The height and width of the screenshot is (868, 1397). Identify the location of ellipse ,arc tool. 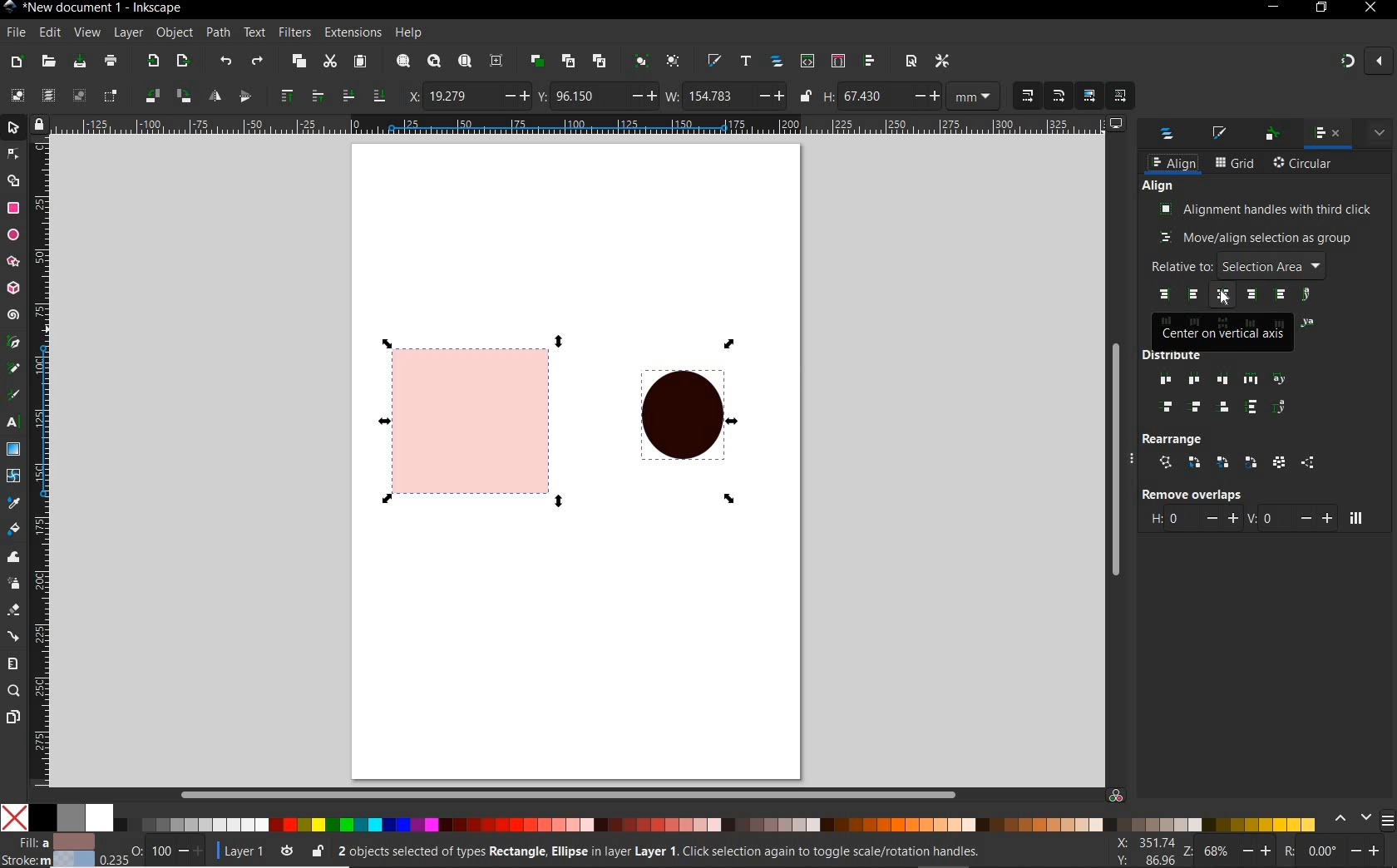
(12, 234).